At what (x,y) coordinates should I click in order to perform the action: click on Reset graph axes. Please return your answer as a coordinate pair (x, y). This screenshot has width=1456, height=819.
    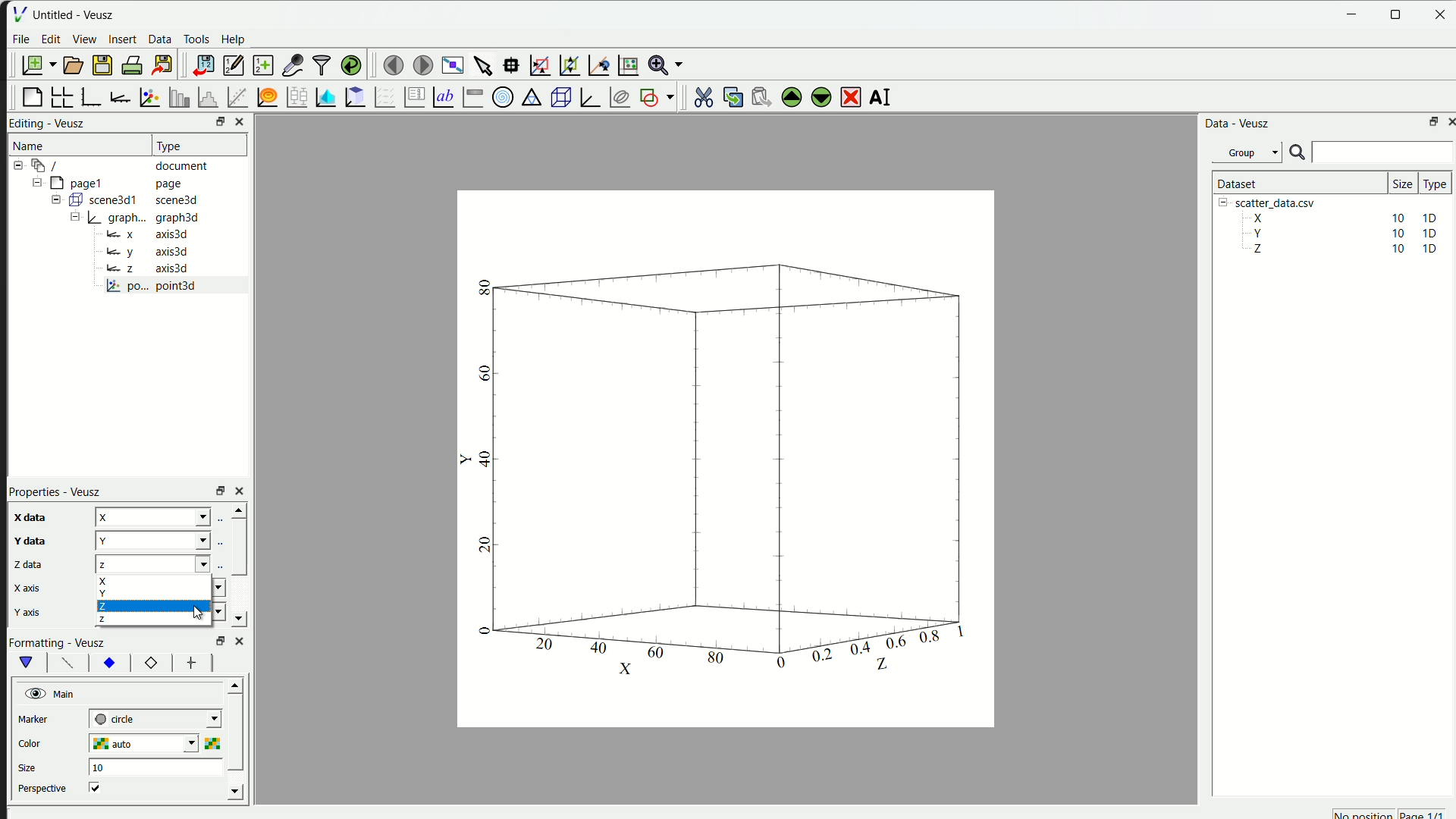
    Looking at the image, I should click on (627, 63).